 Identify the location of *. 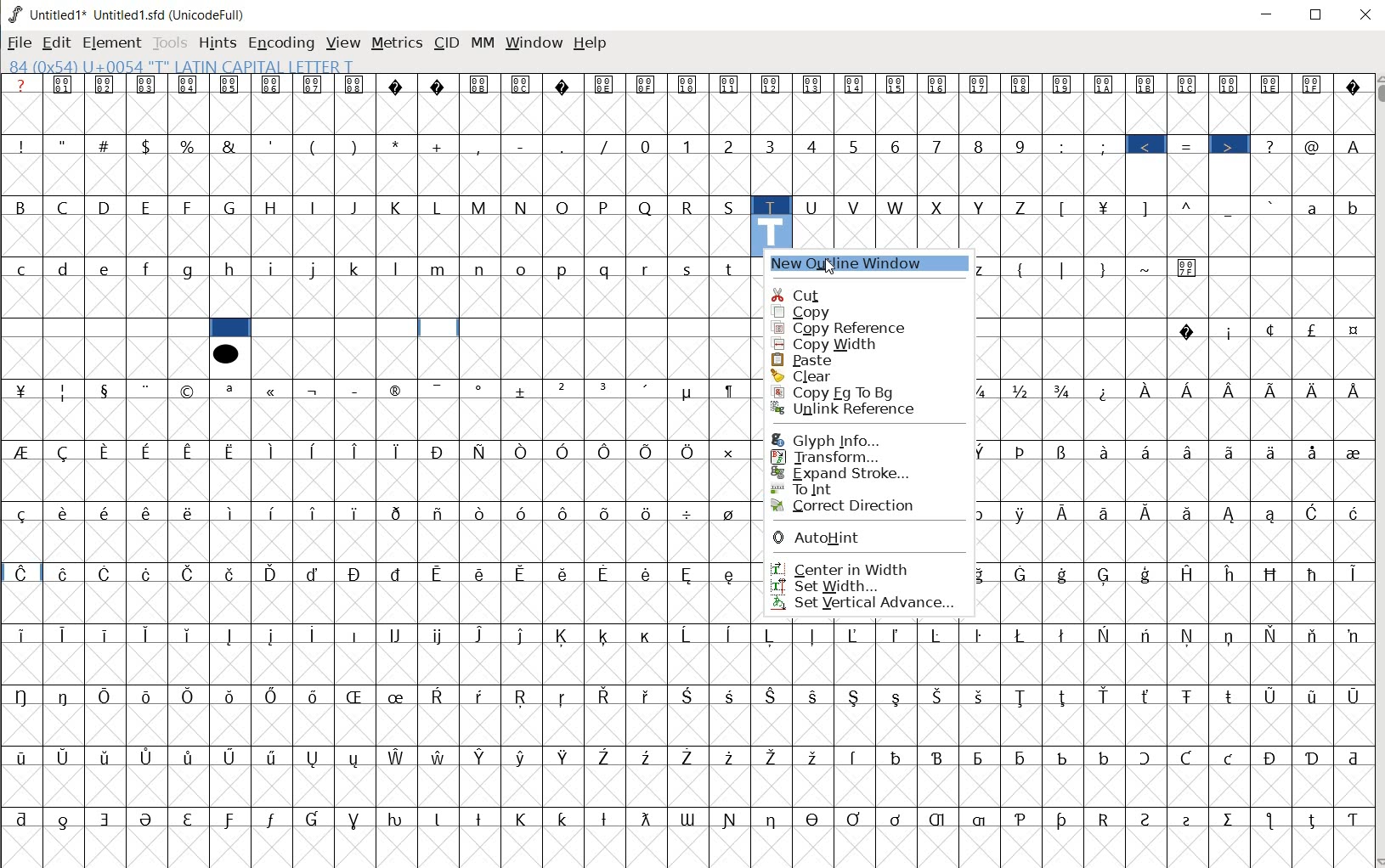
(400, 144).